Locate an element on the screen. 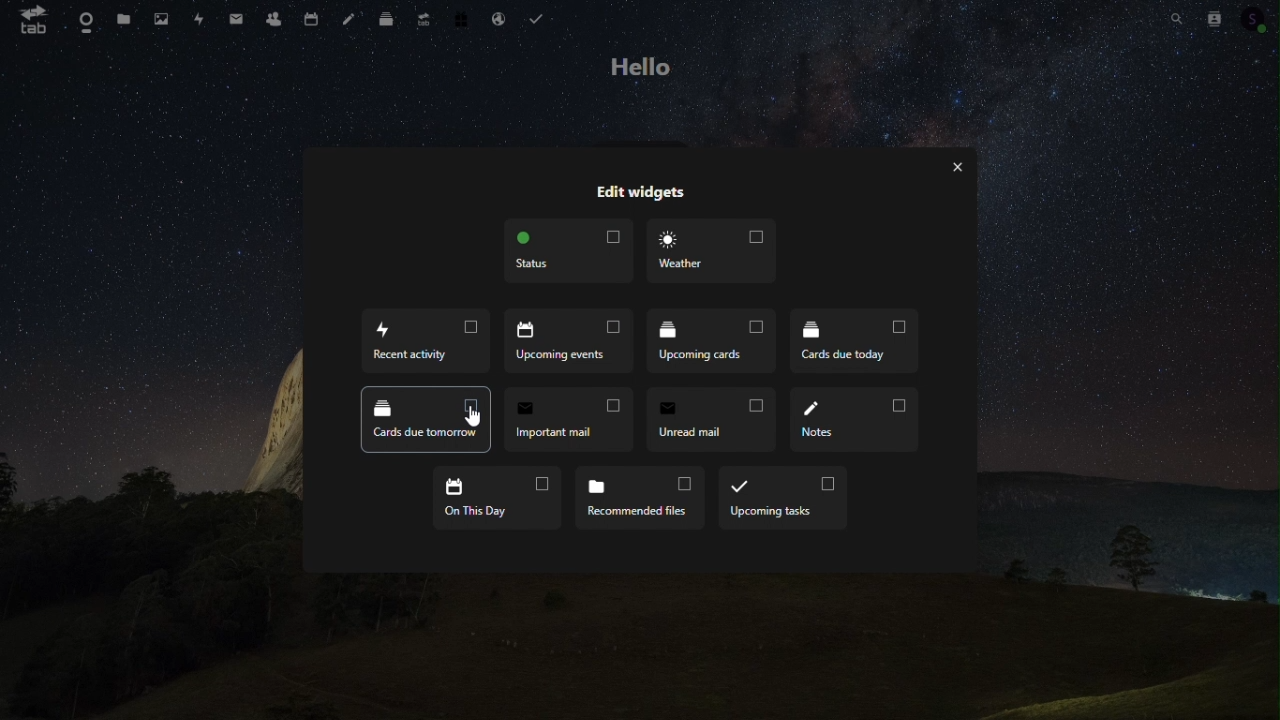 This screenshot has width=1280, height=720. Calendar is located at coordinates (308, 18).